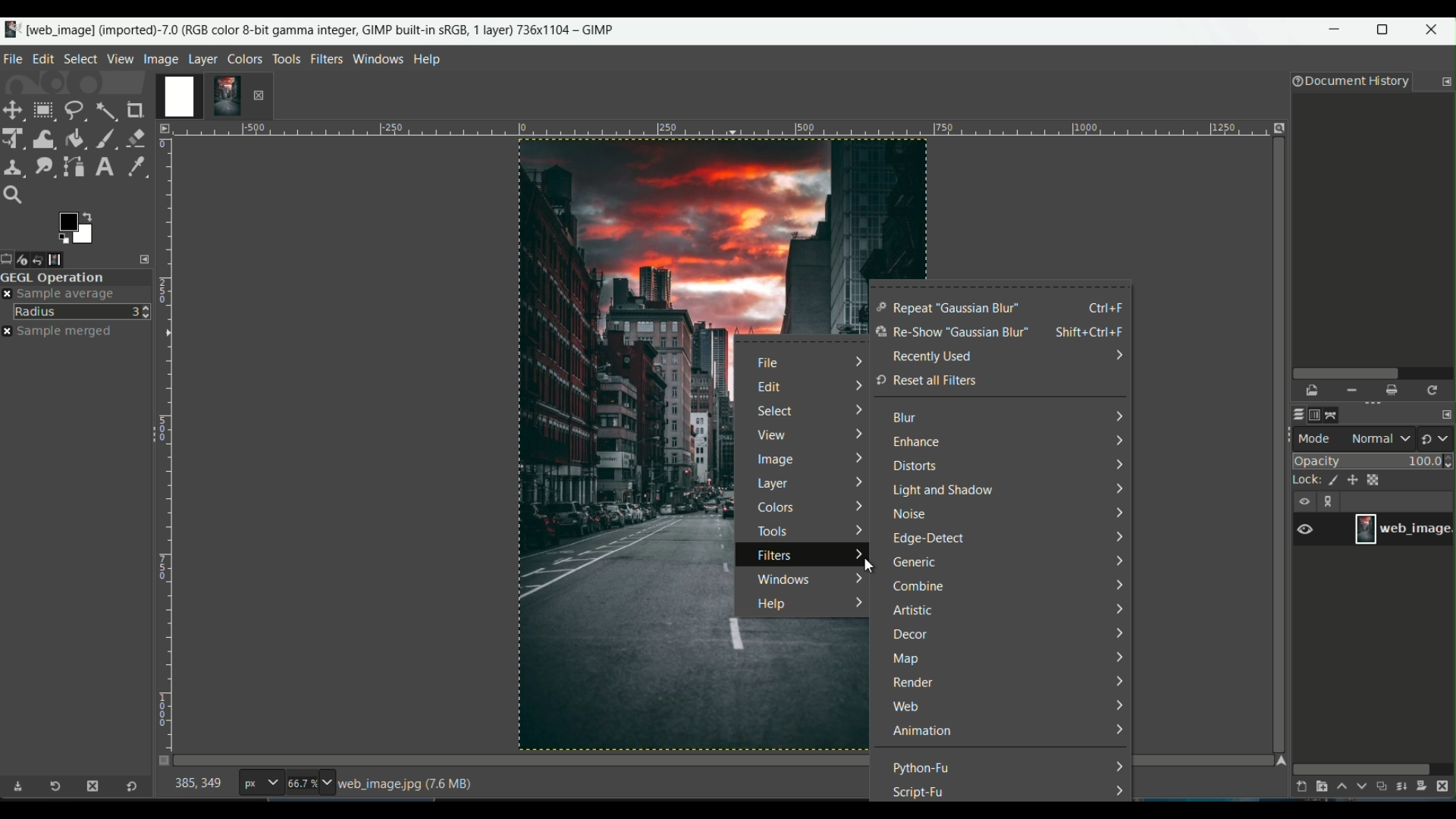 This screenshot has width=1456, height=819. What do you see at coordinates (907, 708) in the screenshot?
I see `web` at bounding box center [907, 708].